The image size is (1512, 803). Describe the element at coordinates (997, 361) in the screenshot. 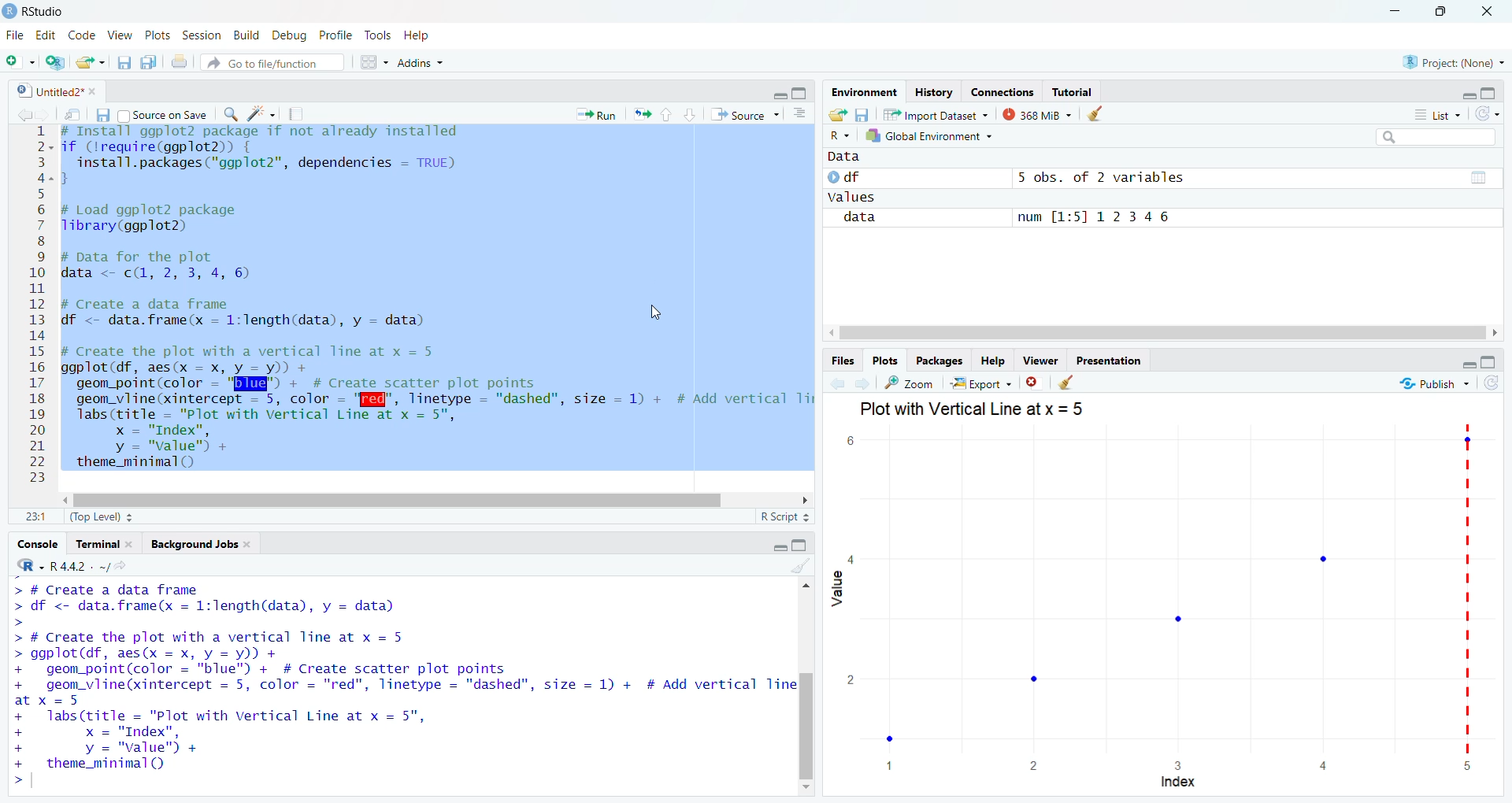

I see `Help` at that location.